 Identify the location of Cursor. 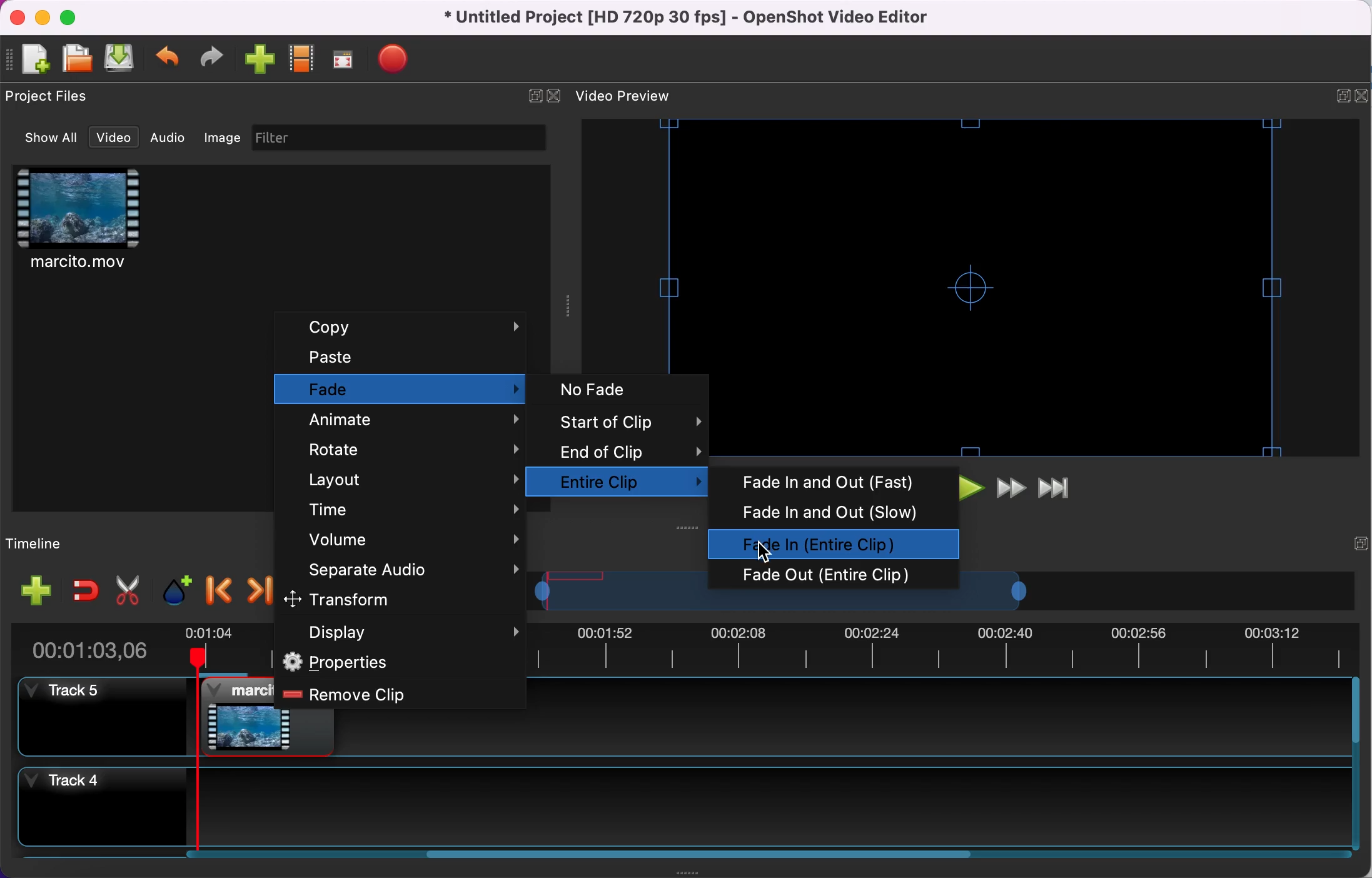
(767, 556).